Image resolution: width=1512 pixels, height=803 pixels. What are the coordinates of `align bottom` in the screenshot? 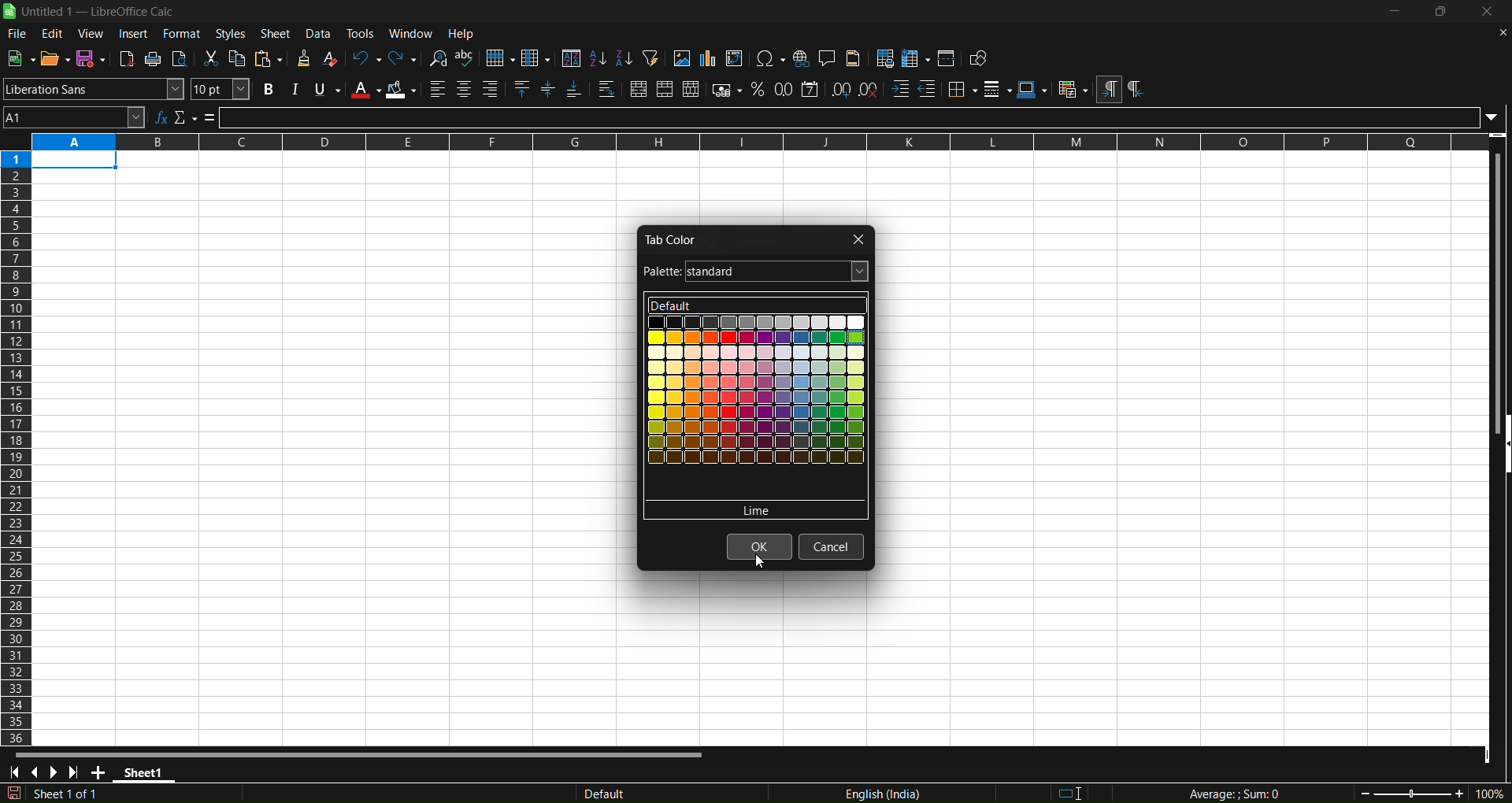 It's located at (574, 91).